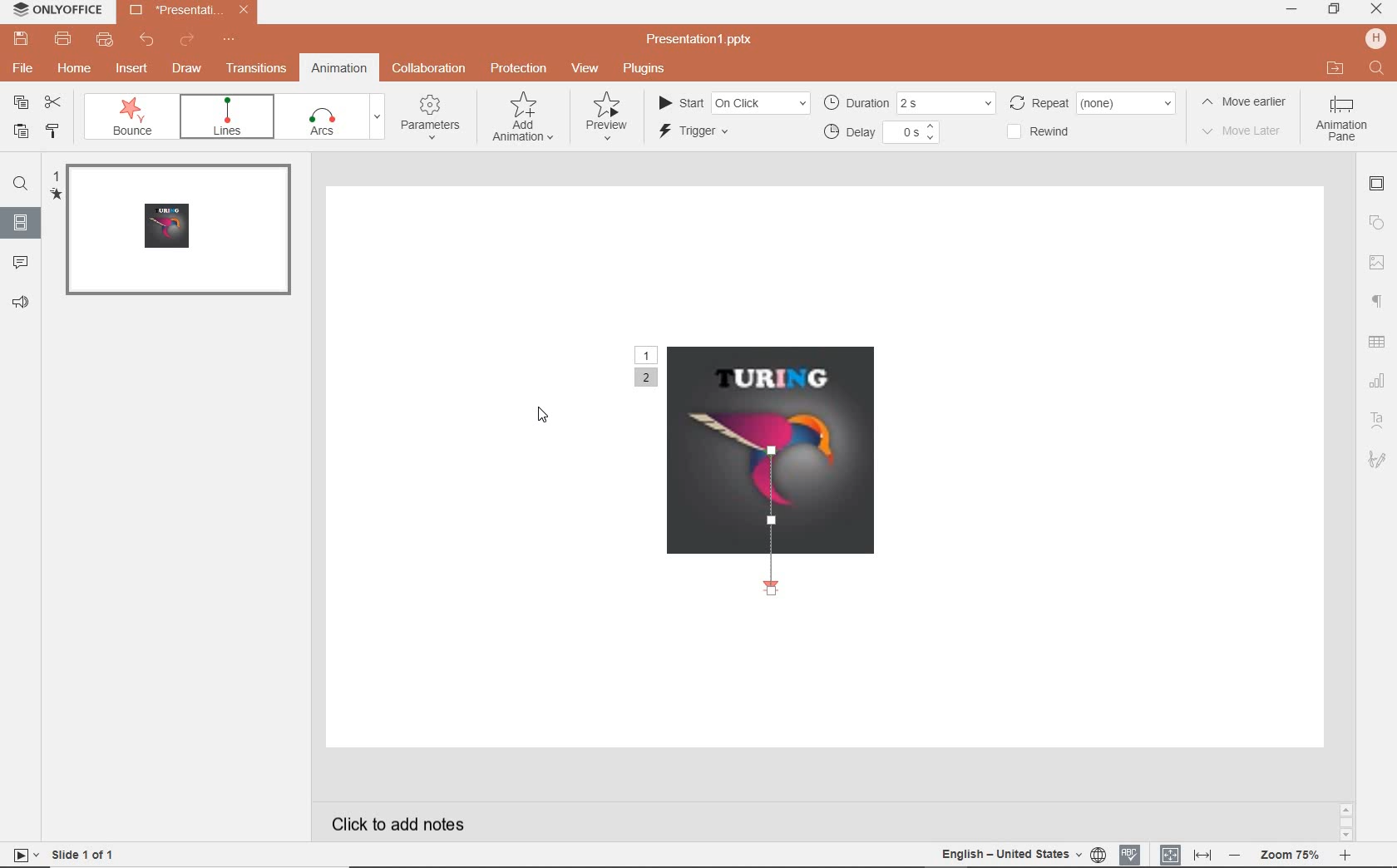 The height and width of the screenshot is (868, 1397). Describe the element at coordinates (1335, 68) in the screenshot. I see `open file location` at that location.